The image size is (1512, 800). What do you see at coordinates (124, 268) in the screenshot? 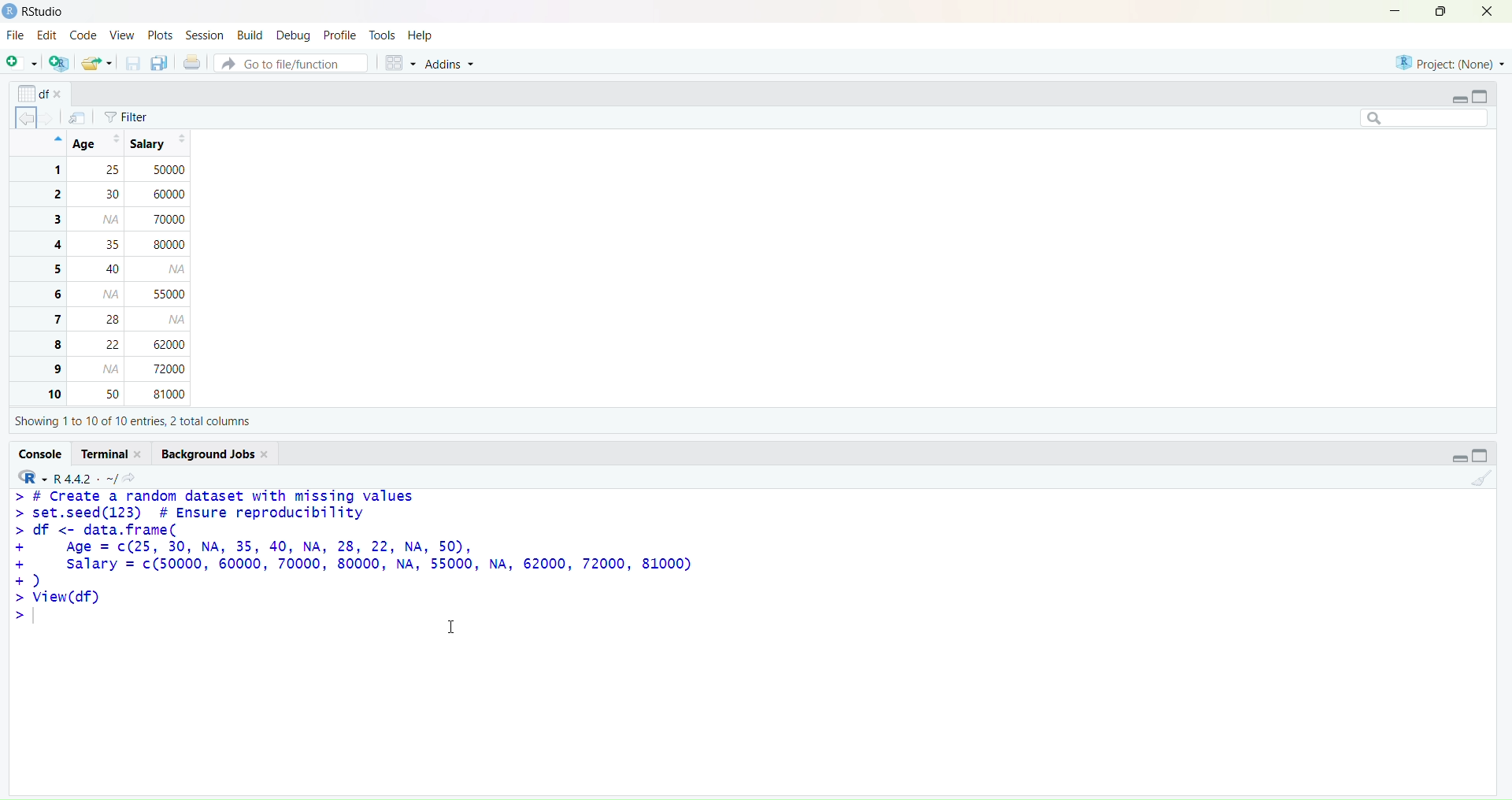
I see `Age Salary
1 25 50000
2 30 60000
3 N 70000
4 35 80000
5 40 NA
6 NA 55000
7 28 NA
8 22 62000
9 N 72000
10 50 81000` at bounding box center [124, 268].